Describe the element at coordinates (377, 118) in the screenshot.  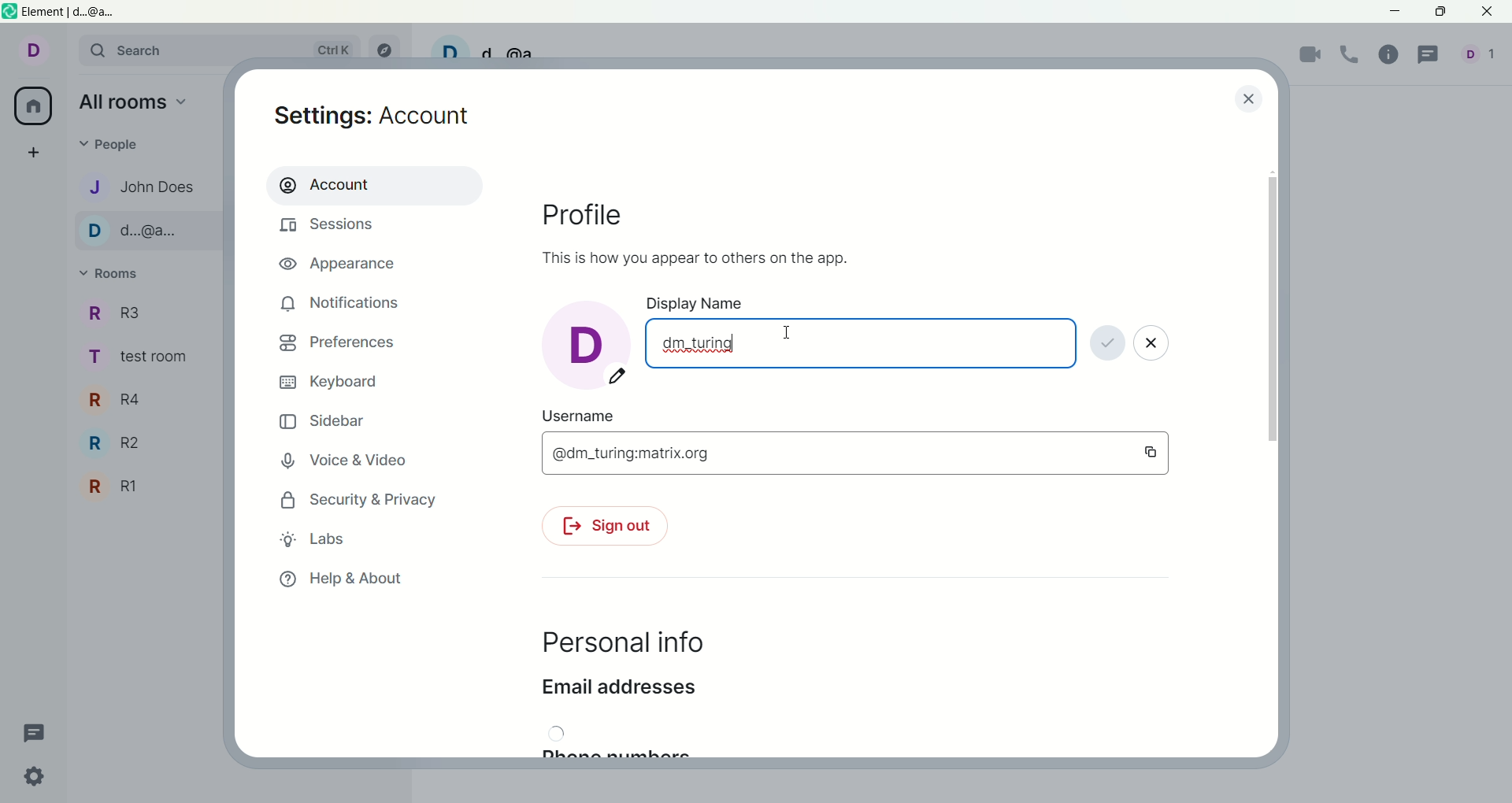
I see `settings: account` at that location.